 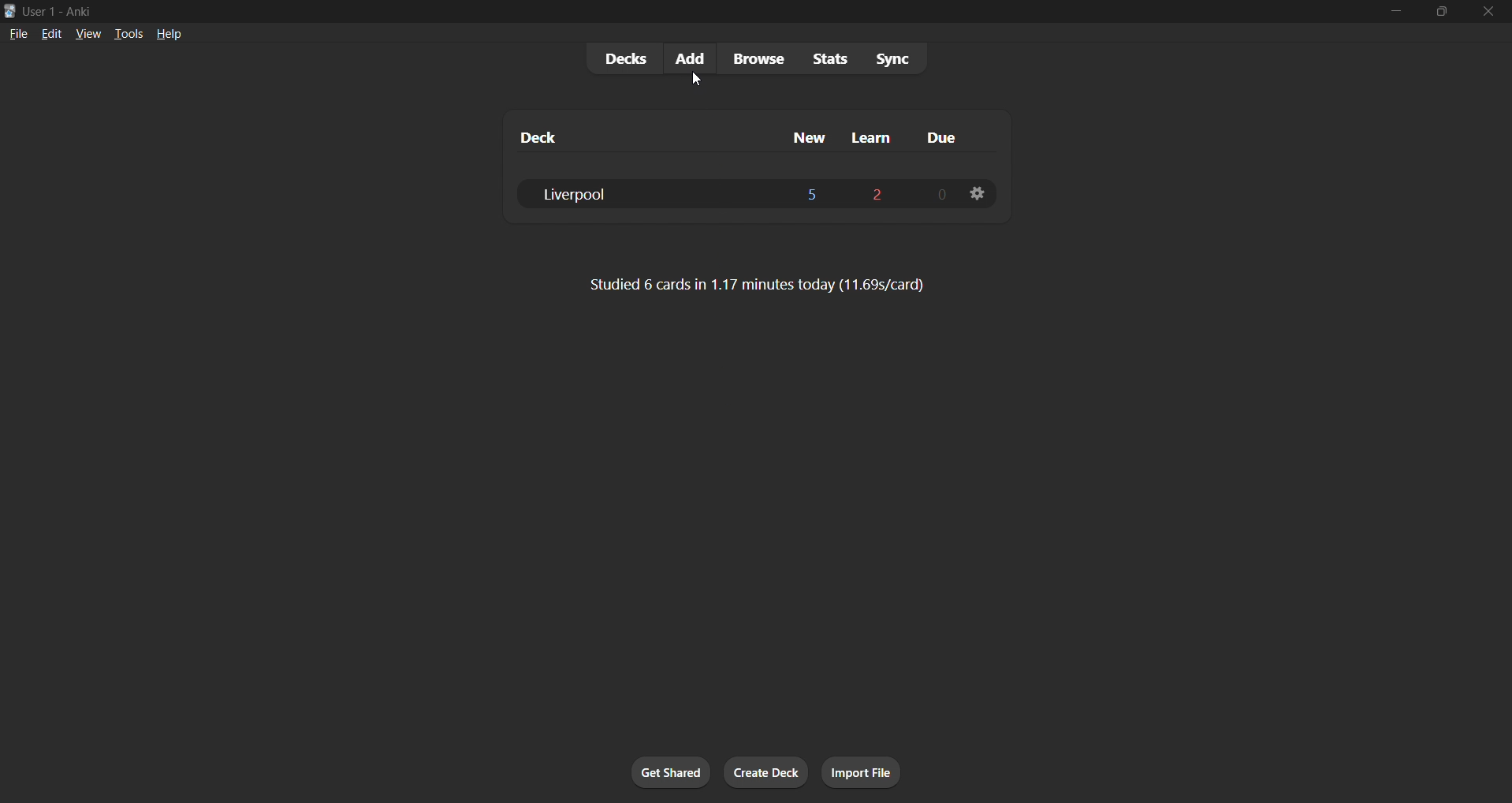 I want to click on card stats, so click(x=765, y=282).